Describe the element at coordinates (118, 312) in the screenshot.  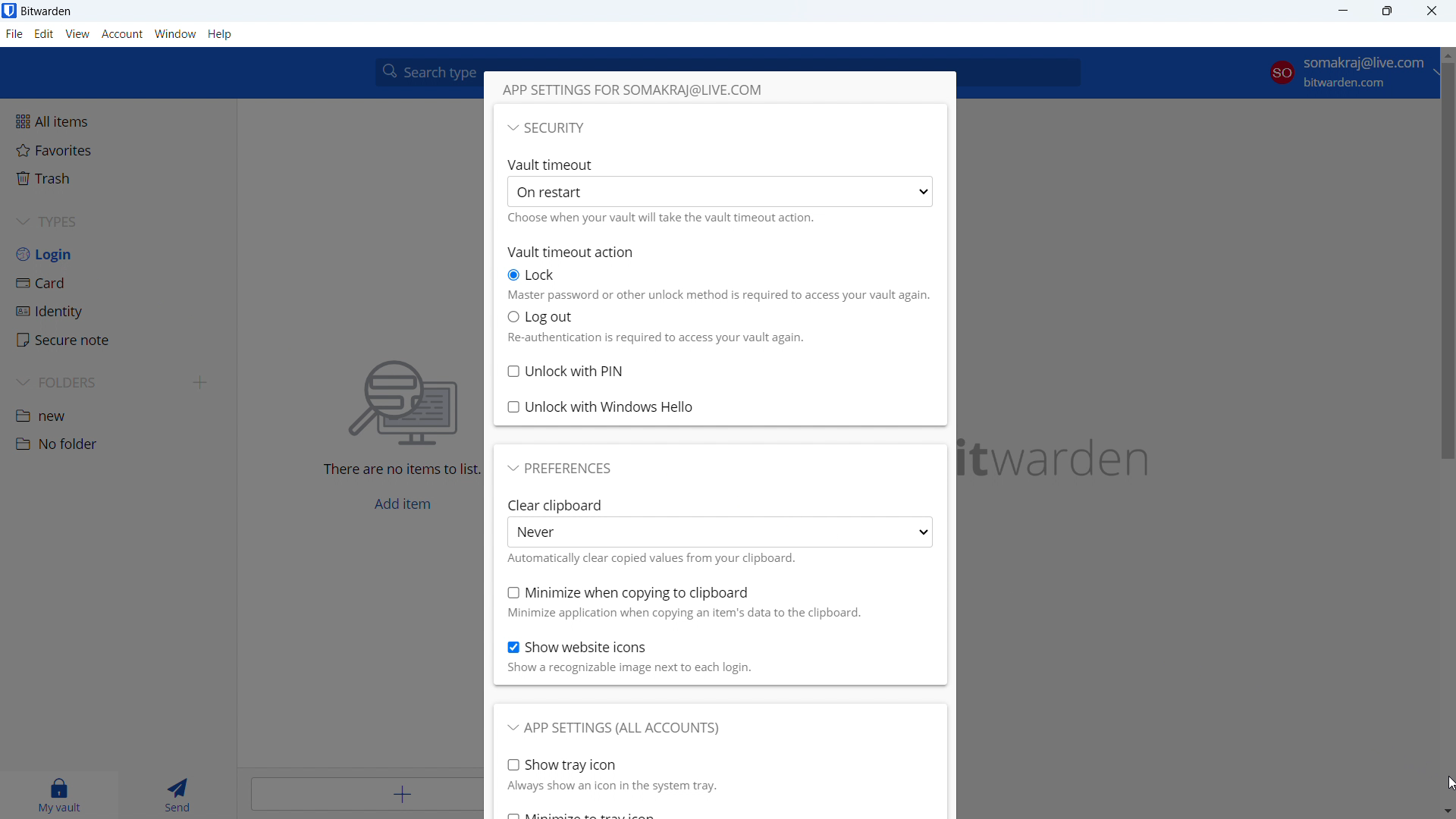
I see `identity` at that location.